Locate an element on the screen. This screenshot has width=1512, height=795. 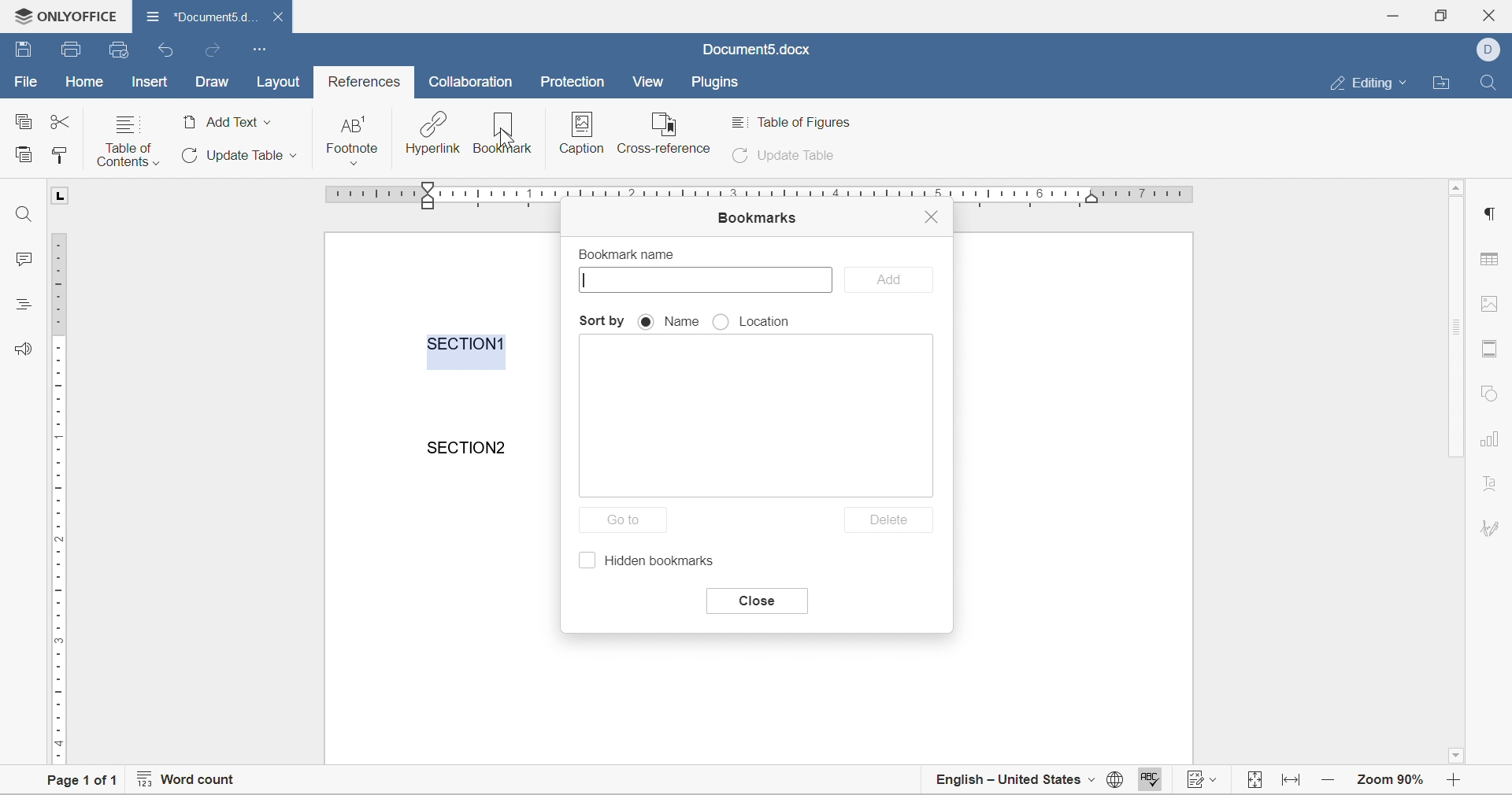
reference is located at coordinates (665, 131).